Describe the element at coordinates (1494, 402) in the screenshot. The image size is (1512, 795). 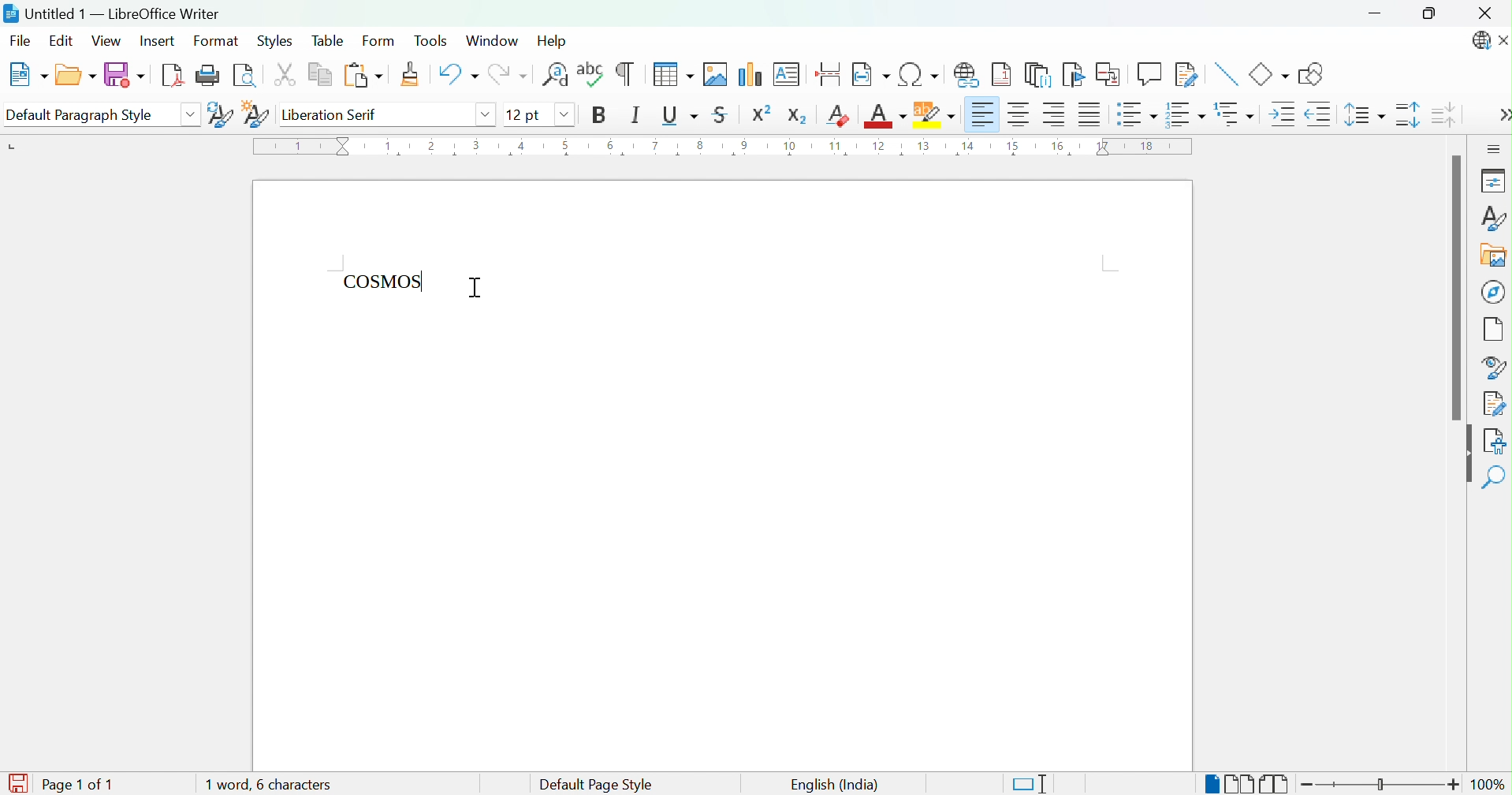
I see `Manage Settings` at that location.